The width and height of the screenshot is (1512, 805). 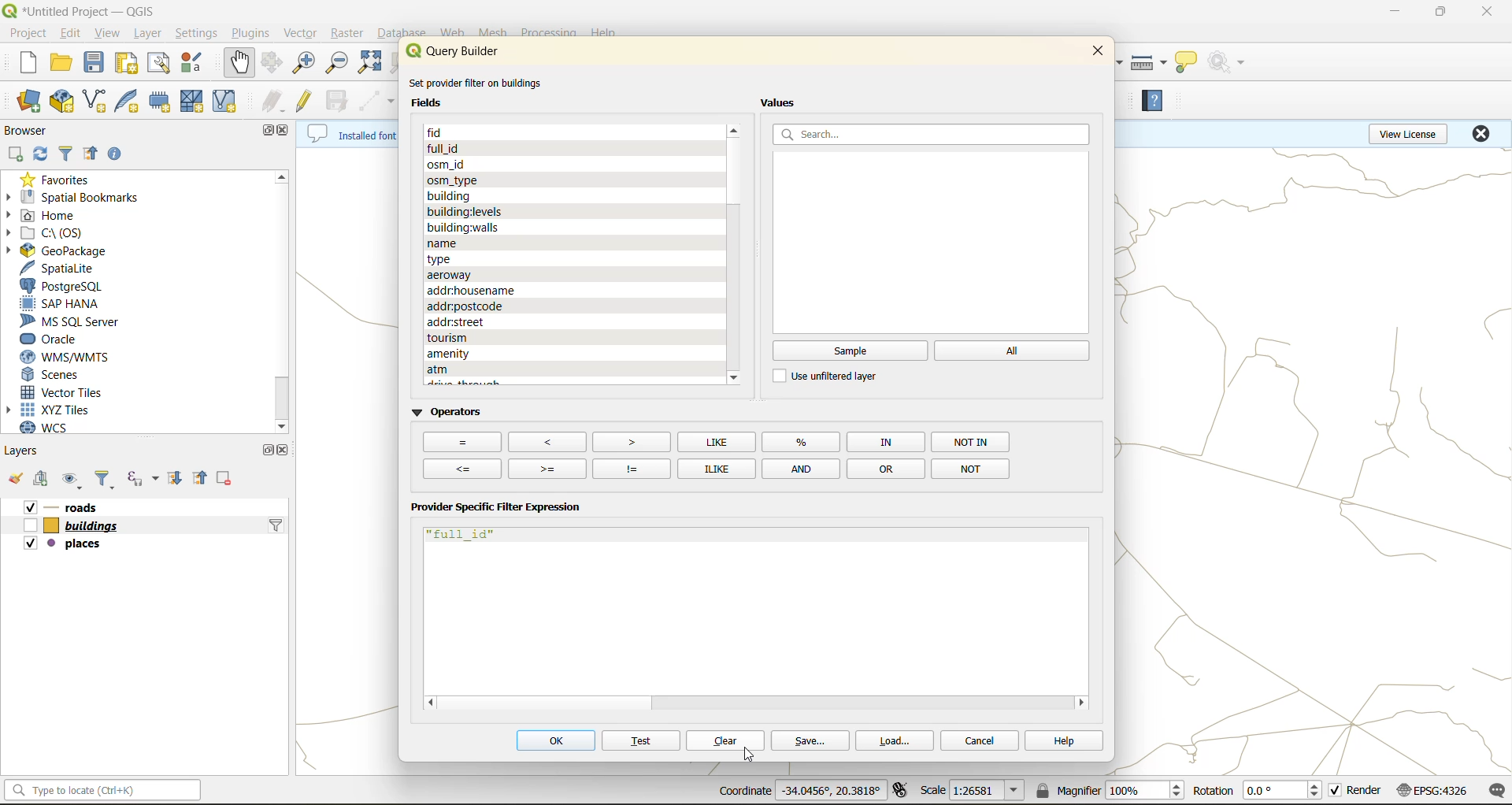 What do you see at coordinates (98, 98) in the screenshot?
I see `new shapefile` at bounding box center [98, 98].